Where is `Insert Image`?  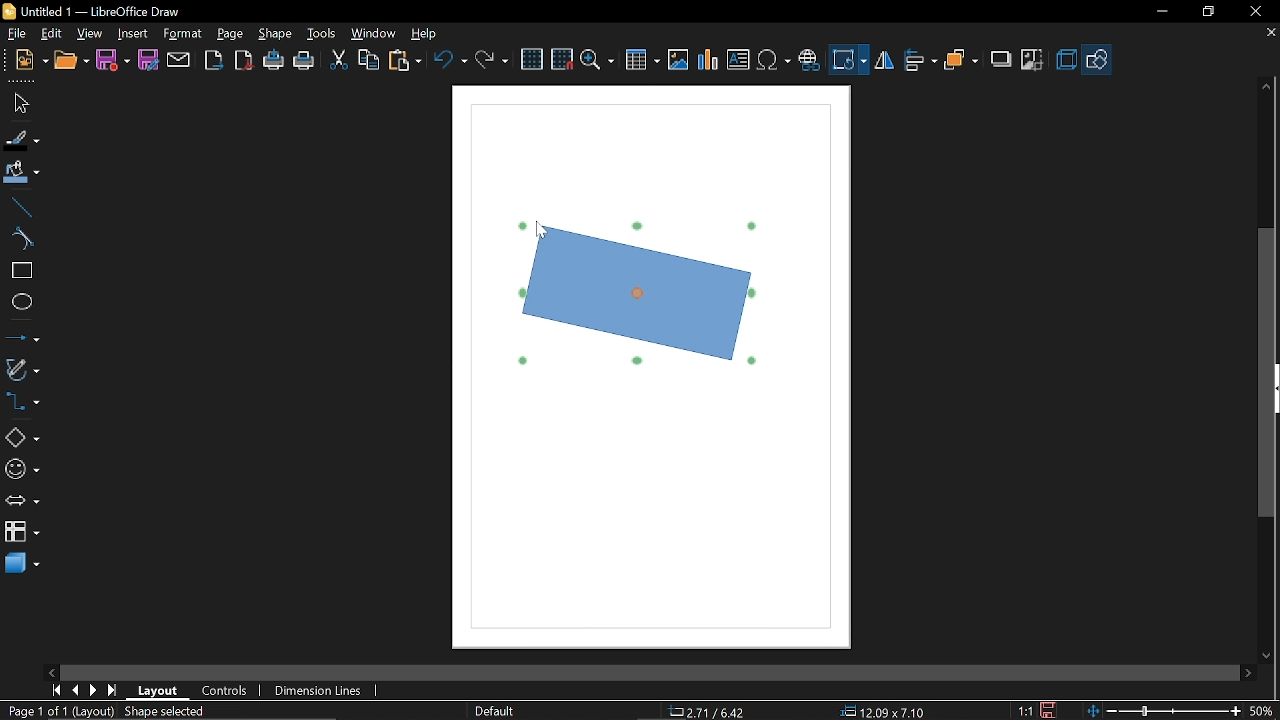
Insert Image is located at coordinates (676, 61).